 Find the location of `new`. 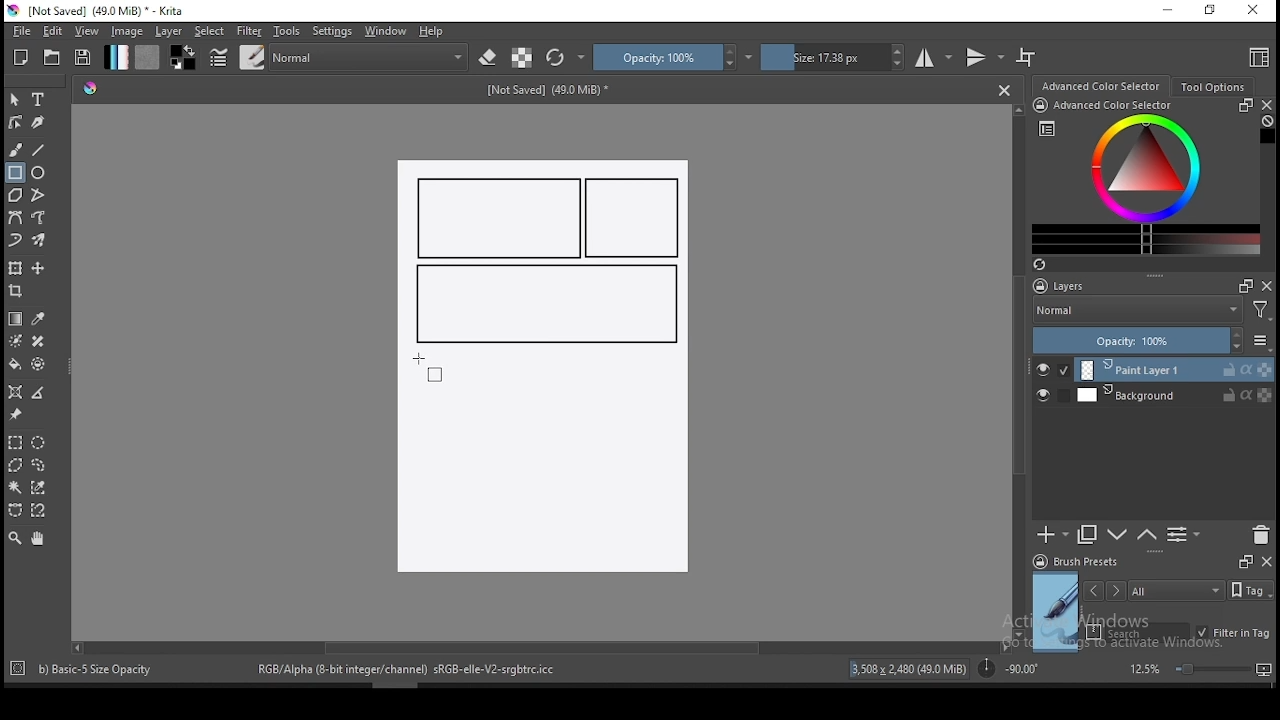

new is located at coordinates (21, 57).